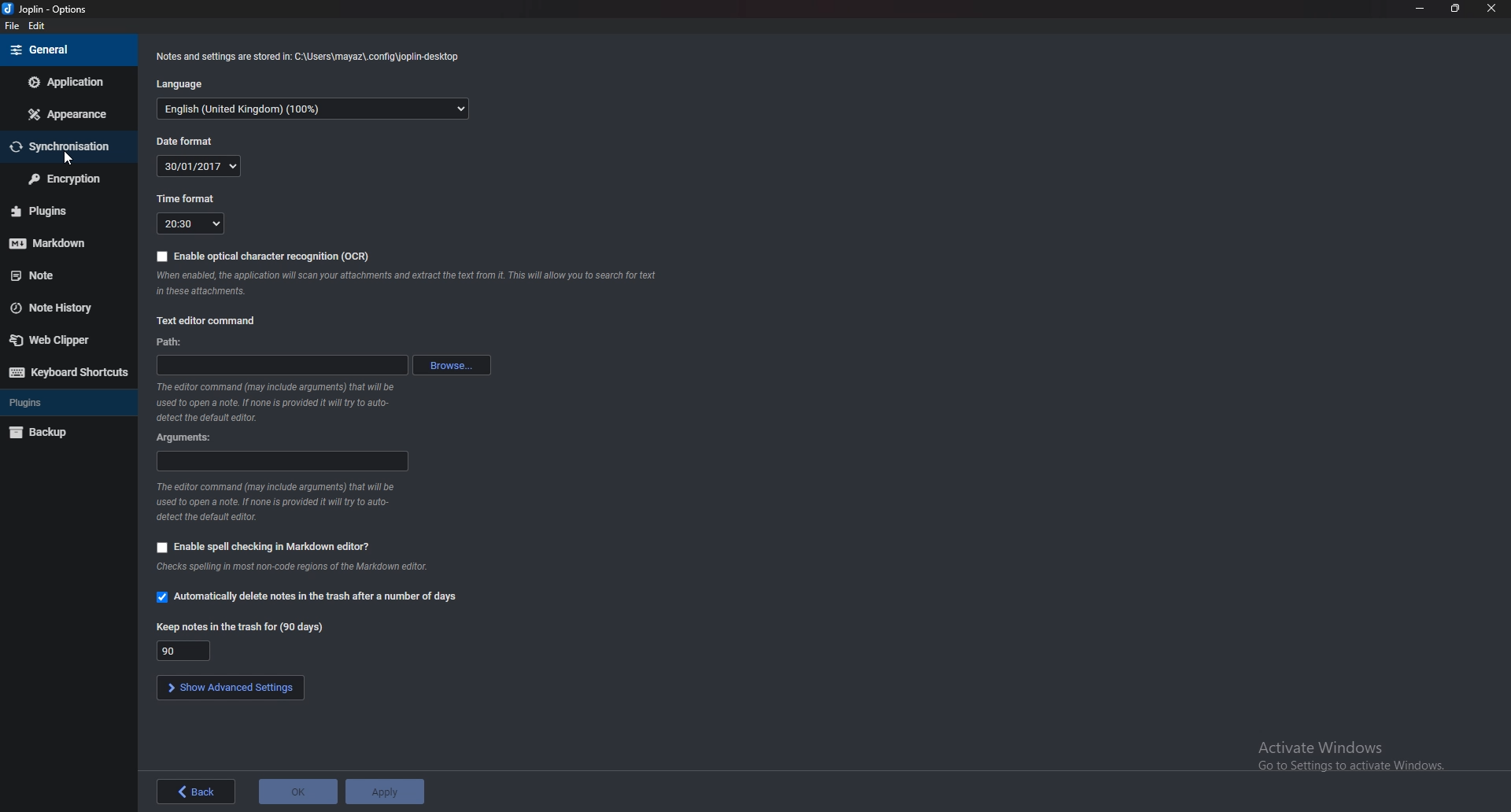 The image size is (1511, 812). I want to click on application, so click(72, 80).